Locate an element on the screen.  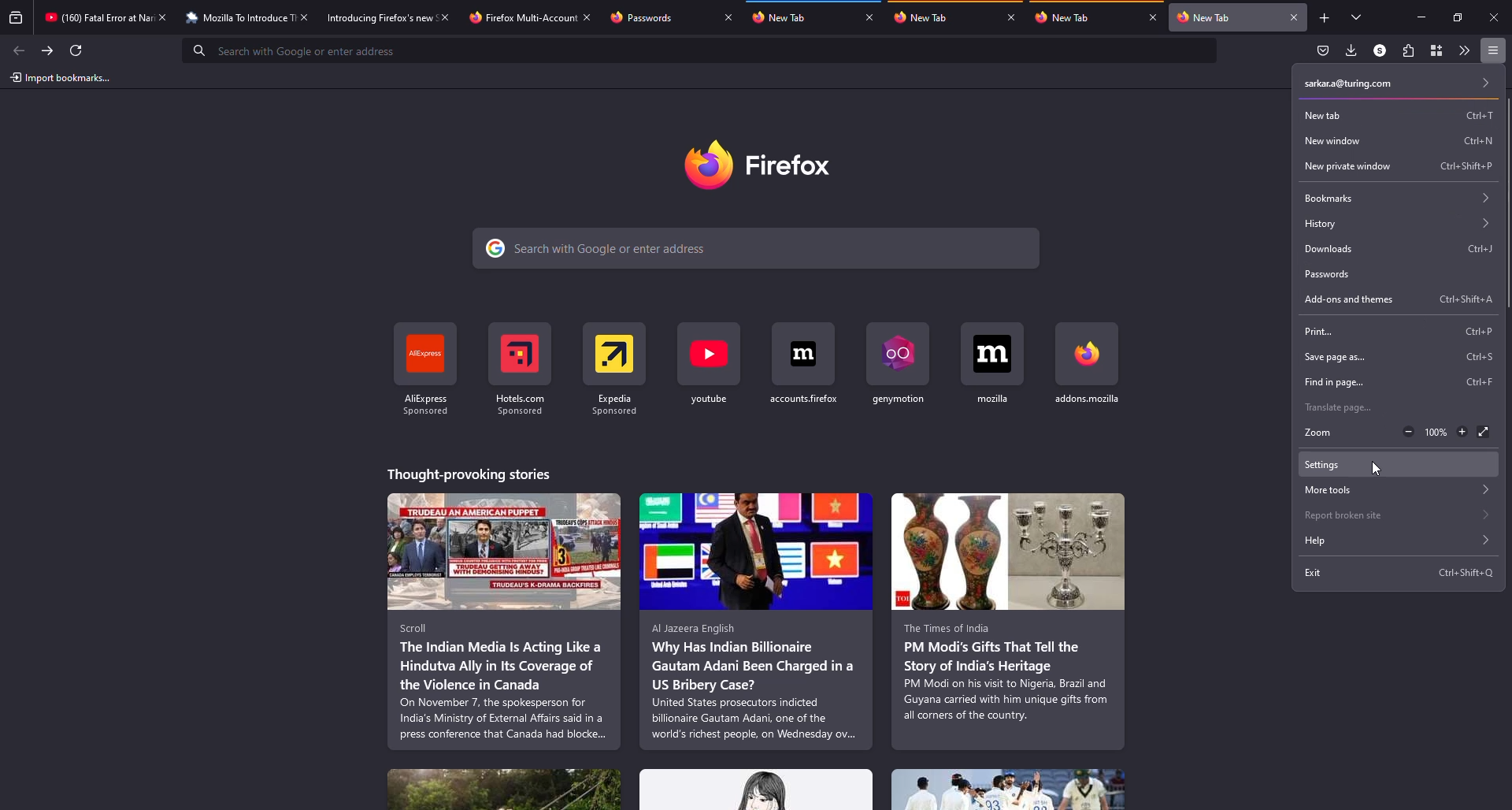
exit is located at coordinates (1400, 572).